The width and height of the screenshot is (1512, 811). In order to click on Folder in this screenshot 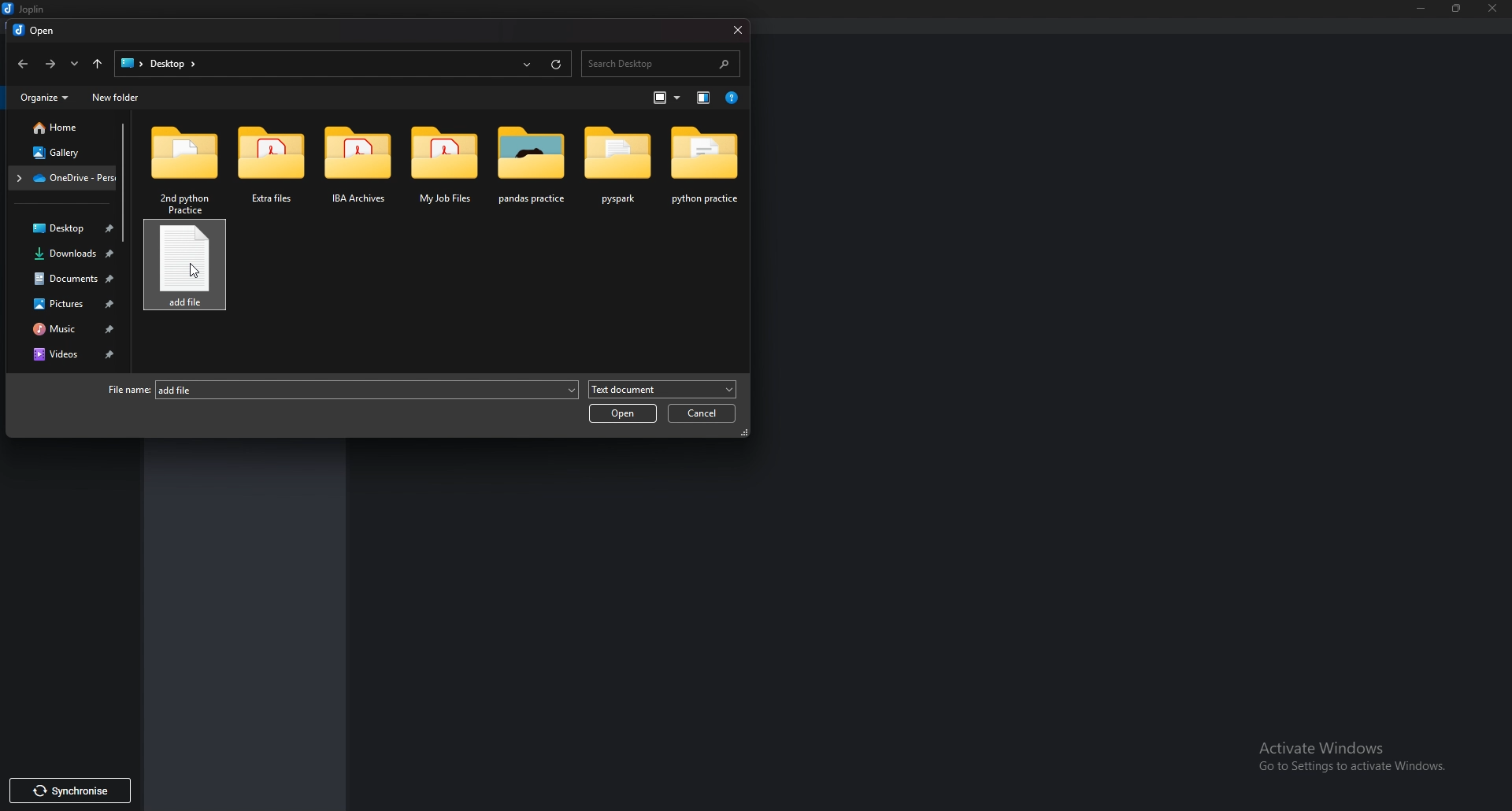, I will do `click(184, 168)`.